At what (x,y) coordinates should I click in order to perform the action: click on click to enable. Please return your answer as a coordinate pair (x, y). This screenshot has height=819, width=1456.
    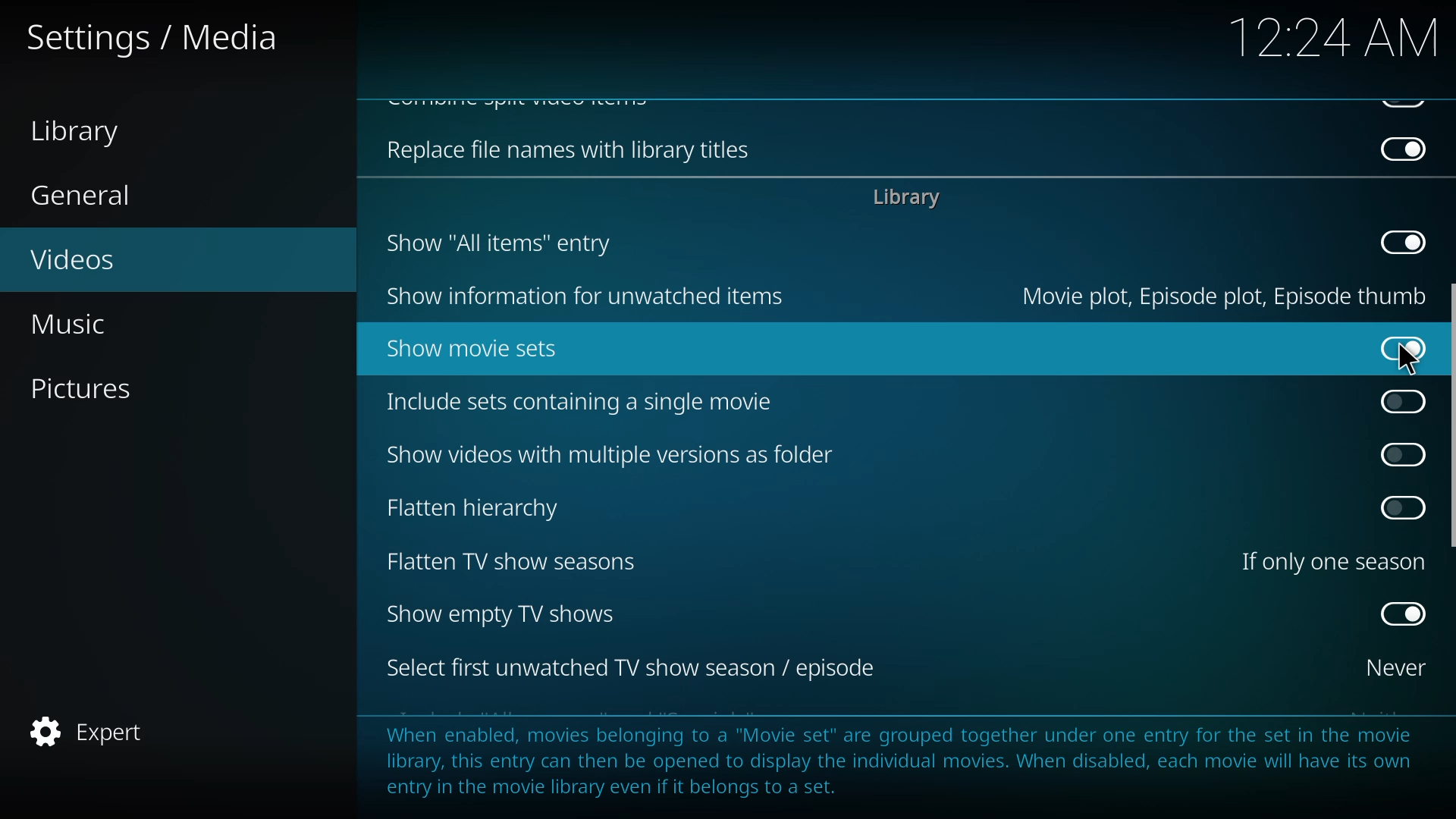
    Looking at the image, I should click on (1398, 451).